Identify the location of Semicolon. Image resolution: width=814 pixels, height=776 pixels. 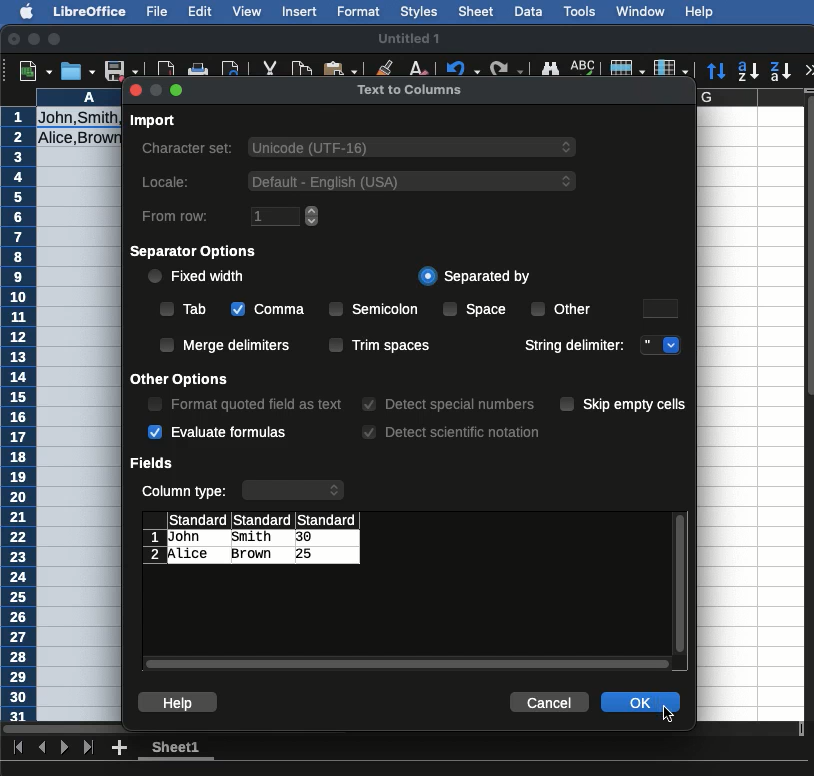
(374, 308).